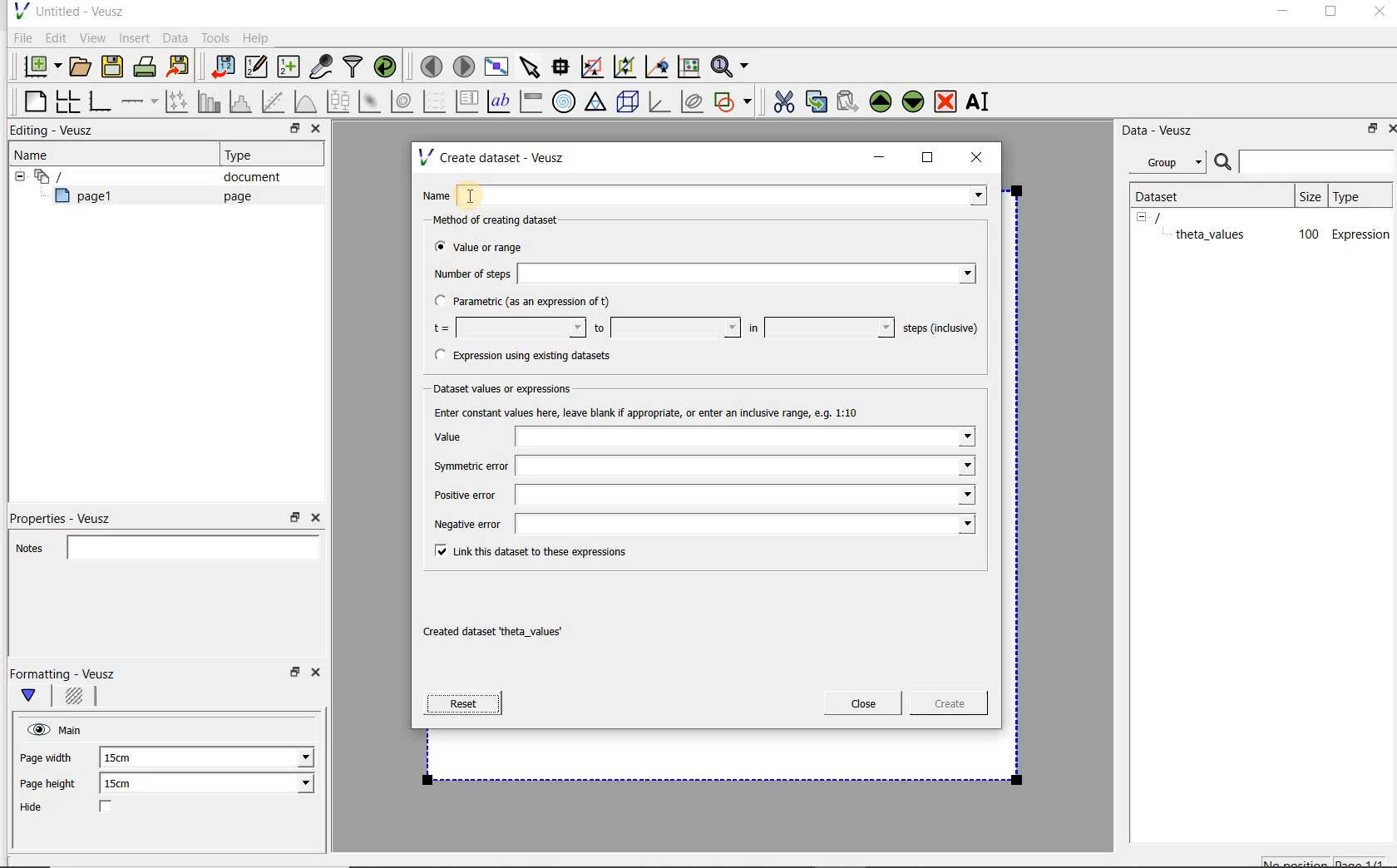 This screenshot has width=1397, height=868. Describe the element at coordinates (1166, 195) in the screenshot. I see `Dataset` at that location.